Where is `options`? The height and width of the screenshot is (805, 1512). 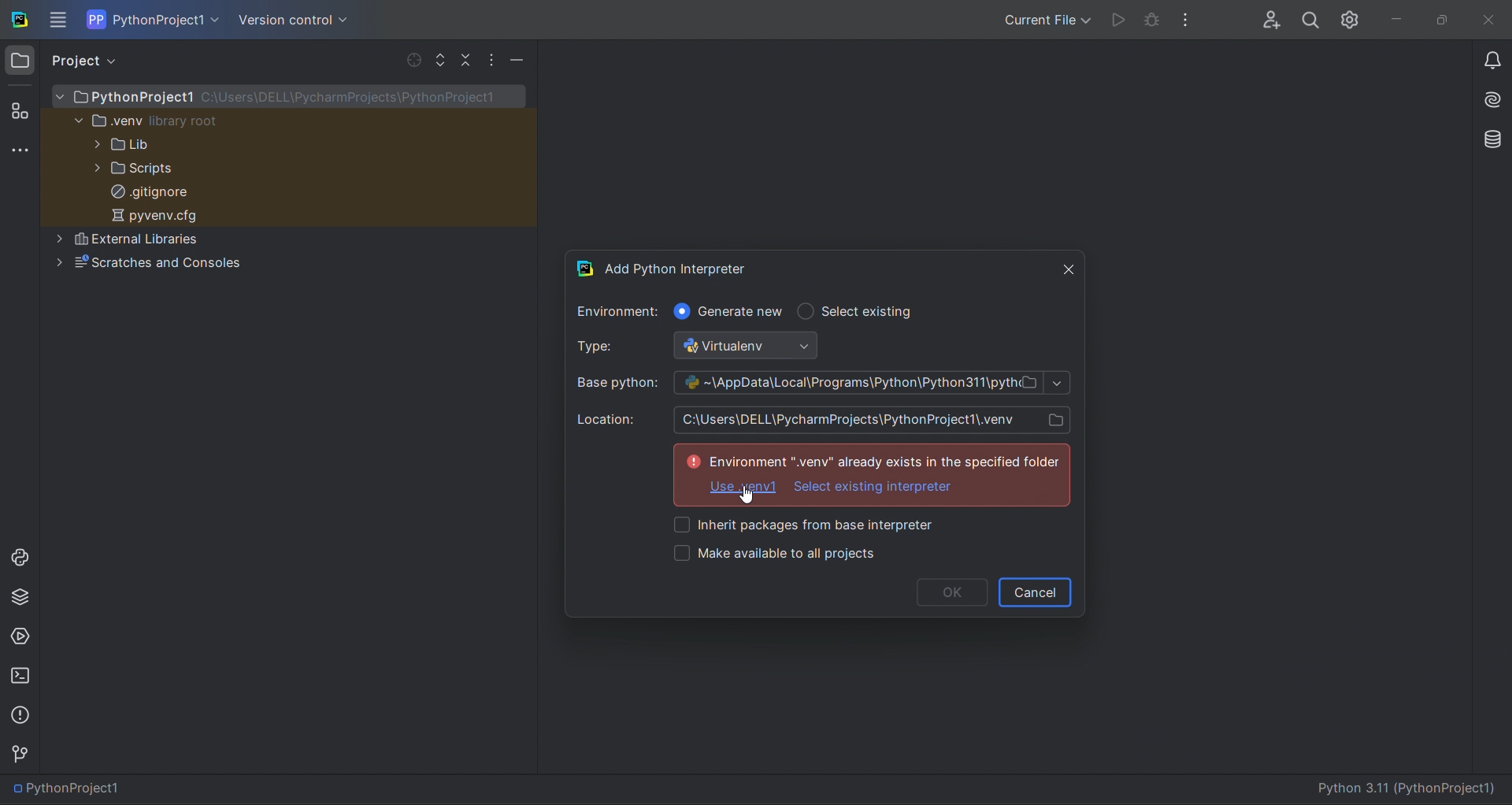 options is located at coordinates (495, 60).